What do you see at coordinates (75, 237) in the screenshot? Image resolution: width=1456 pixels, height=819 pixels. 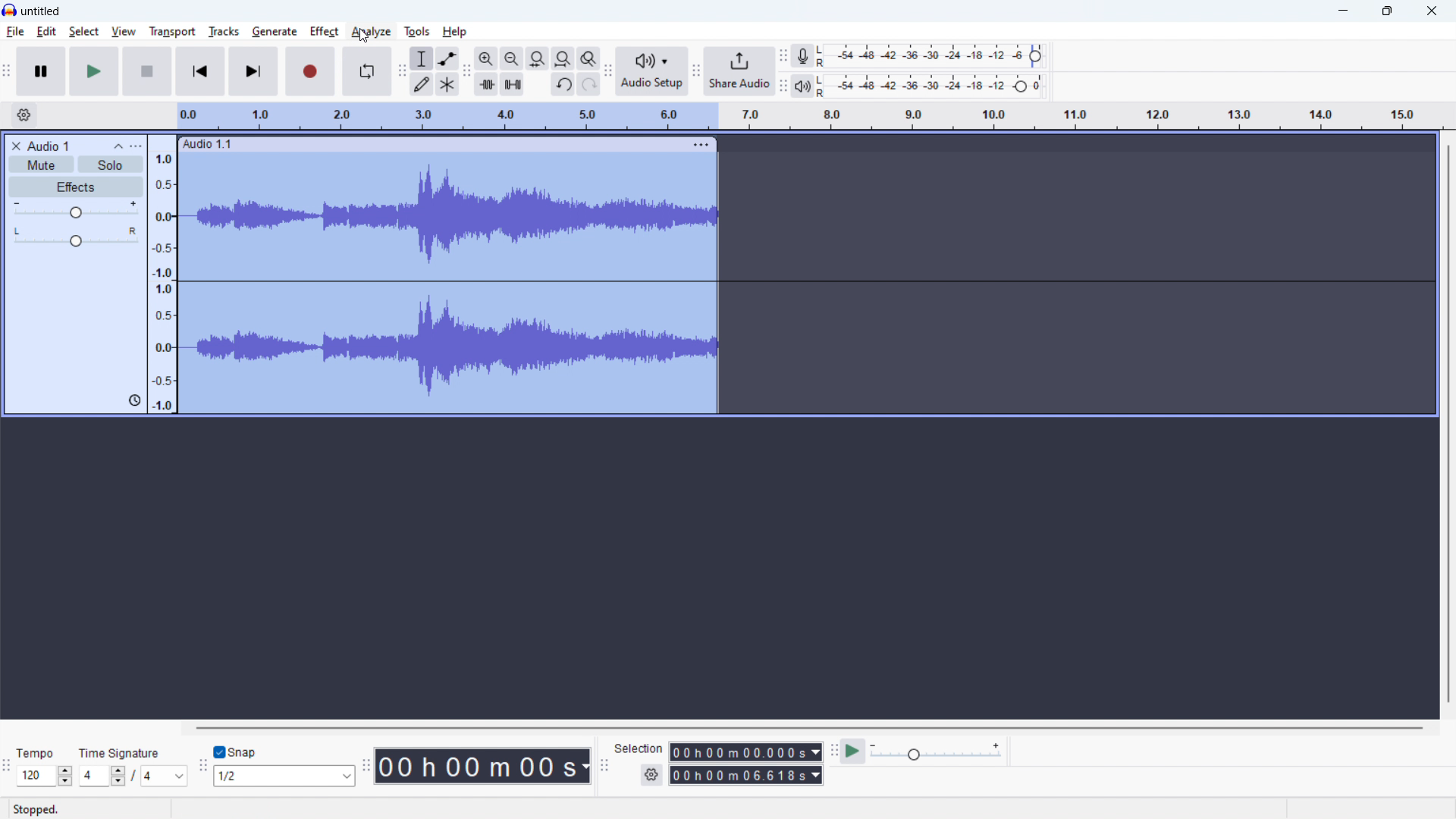 I see `pan` at bounding box center [75, 237].